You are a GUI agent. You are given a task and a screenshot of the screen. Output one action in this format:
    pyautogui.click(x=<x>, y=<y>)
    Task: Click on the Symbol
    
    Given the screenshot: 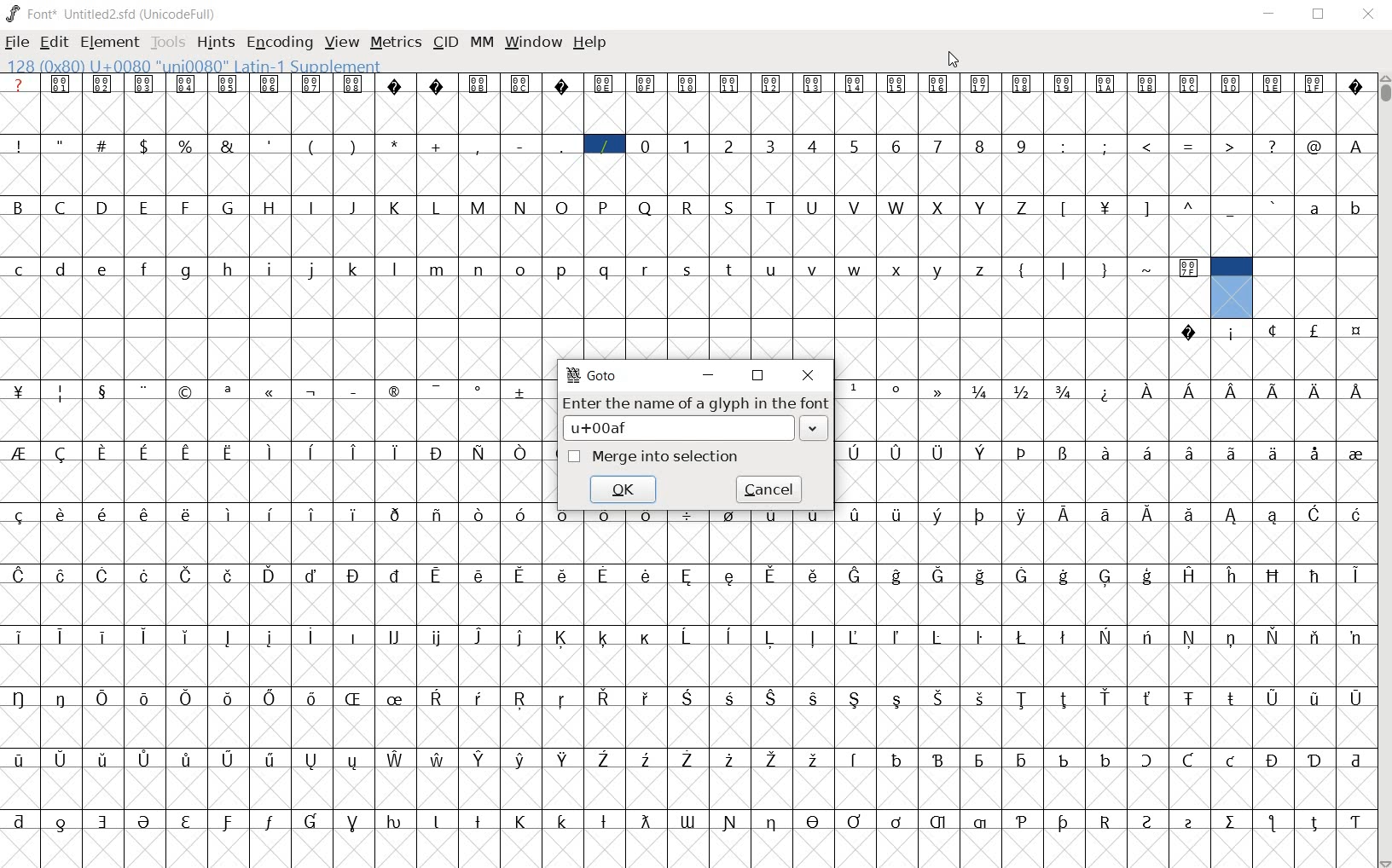 What is the action you would take?
    pyautogui.click(x=1231, y=637)
    